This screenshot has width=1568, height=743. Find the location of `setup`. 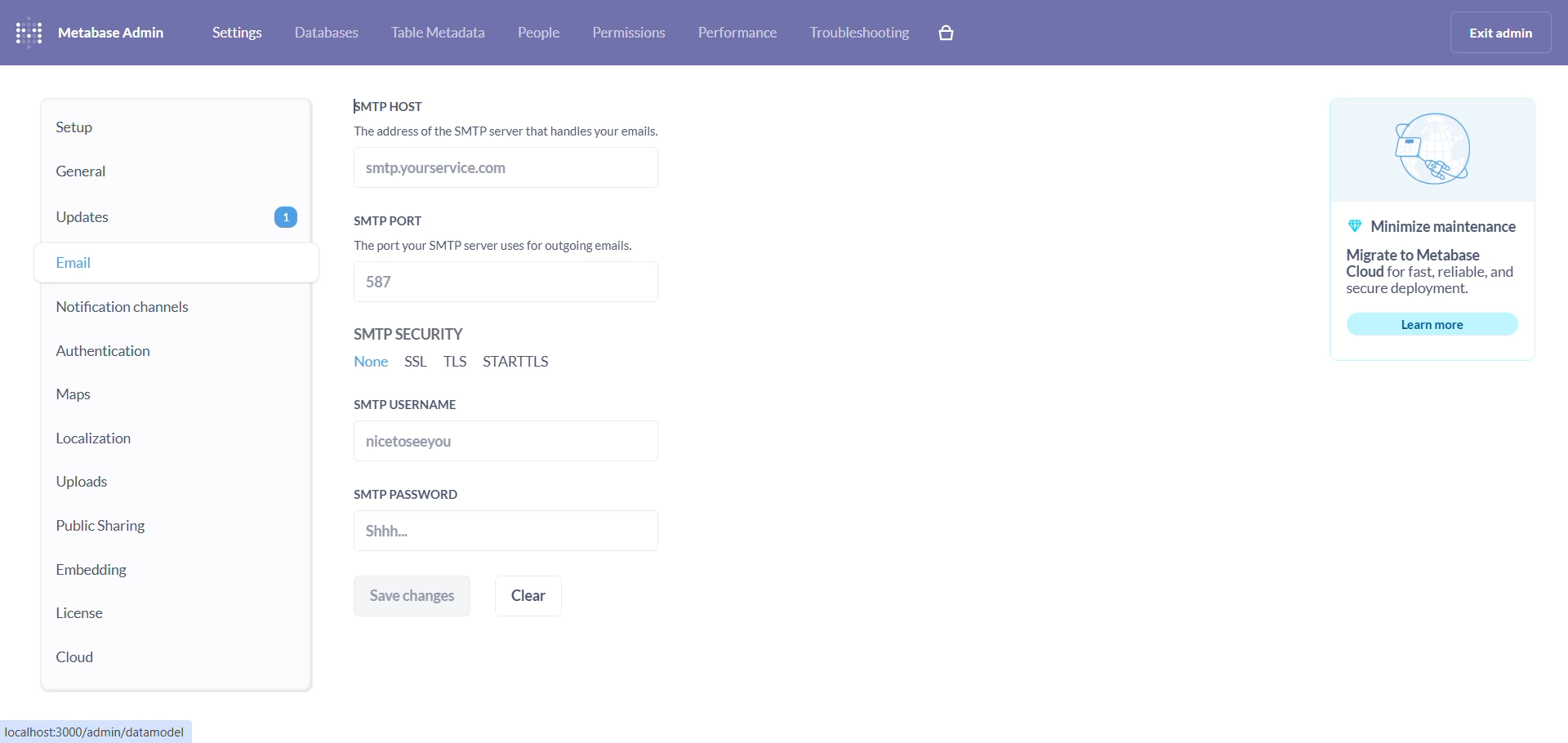

setup is located at coordinates (163, 127).